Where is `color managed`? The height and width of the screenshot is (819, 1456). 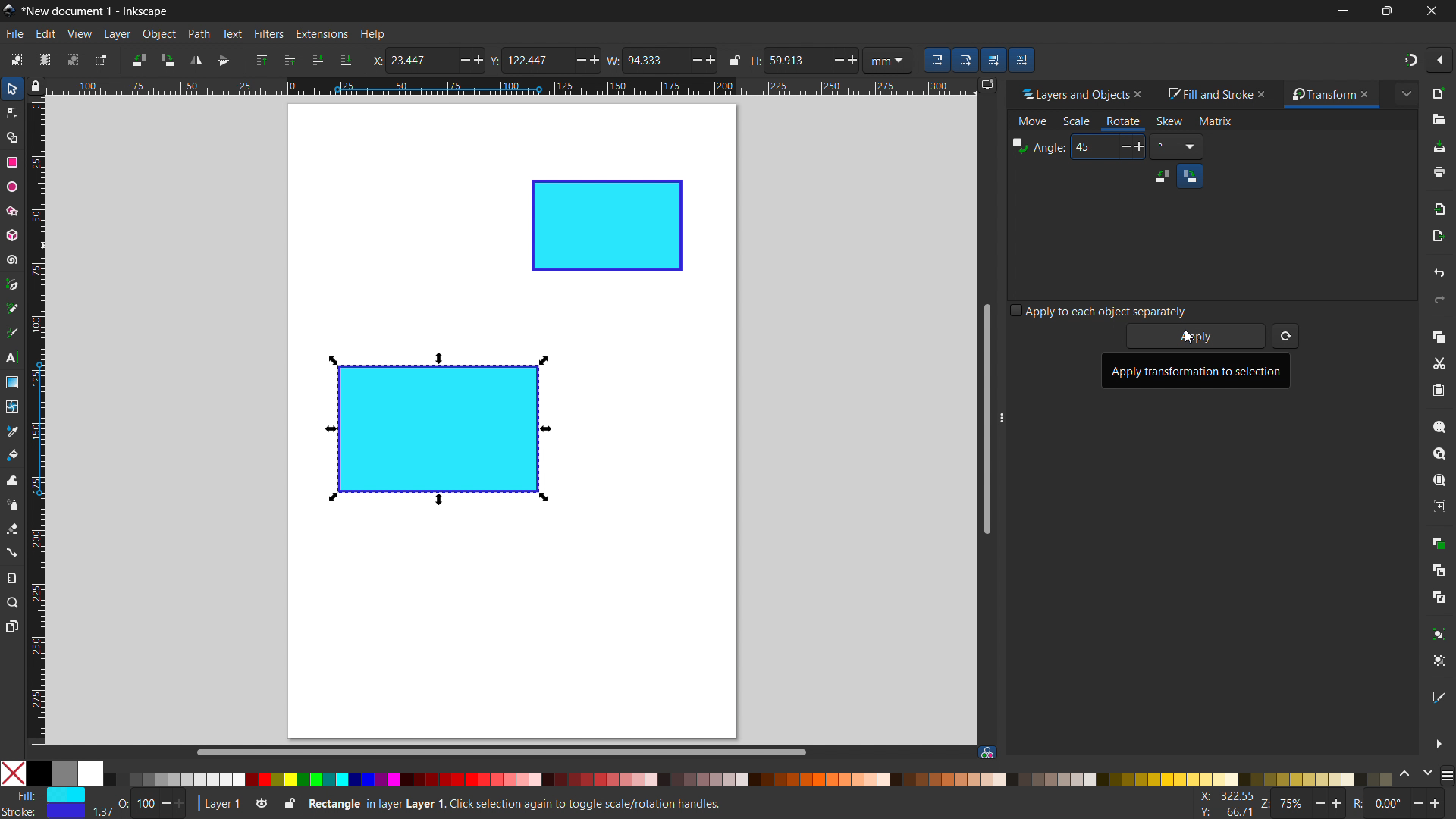 color managed is located at coordinates (987, 752).